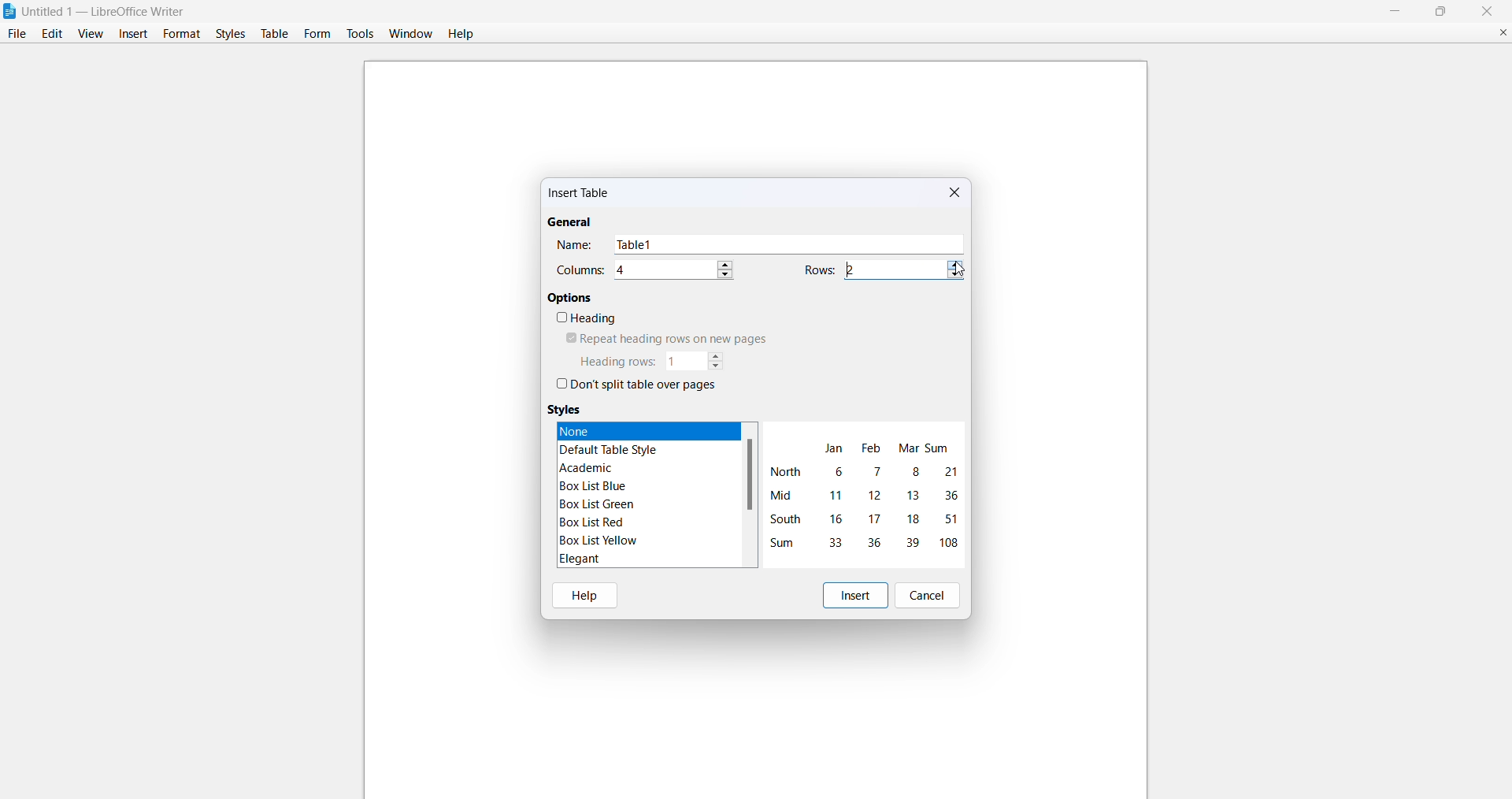 The height and width of the screenshot is (799, 1512). I want to click on styles, so click(228, 33).